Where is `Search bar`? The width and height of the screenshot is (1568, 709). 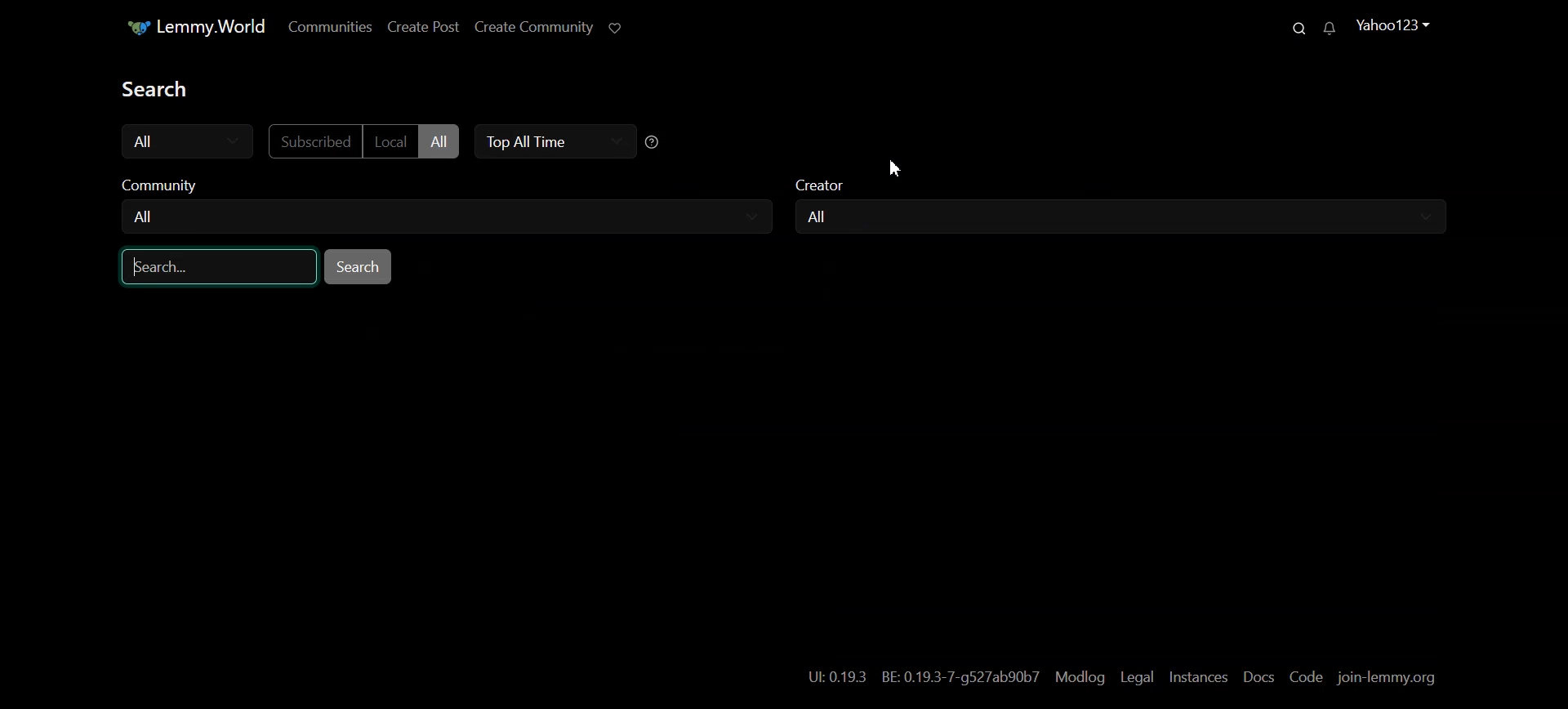 Search bar is located at coordinates (220, 265).